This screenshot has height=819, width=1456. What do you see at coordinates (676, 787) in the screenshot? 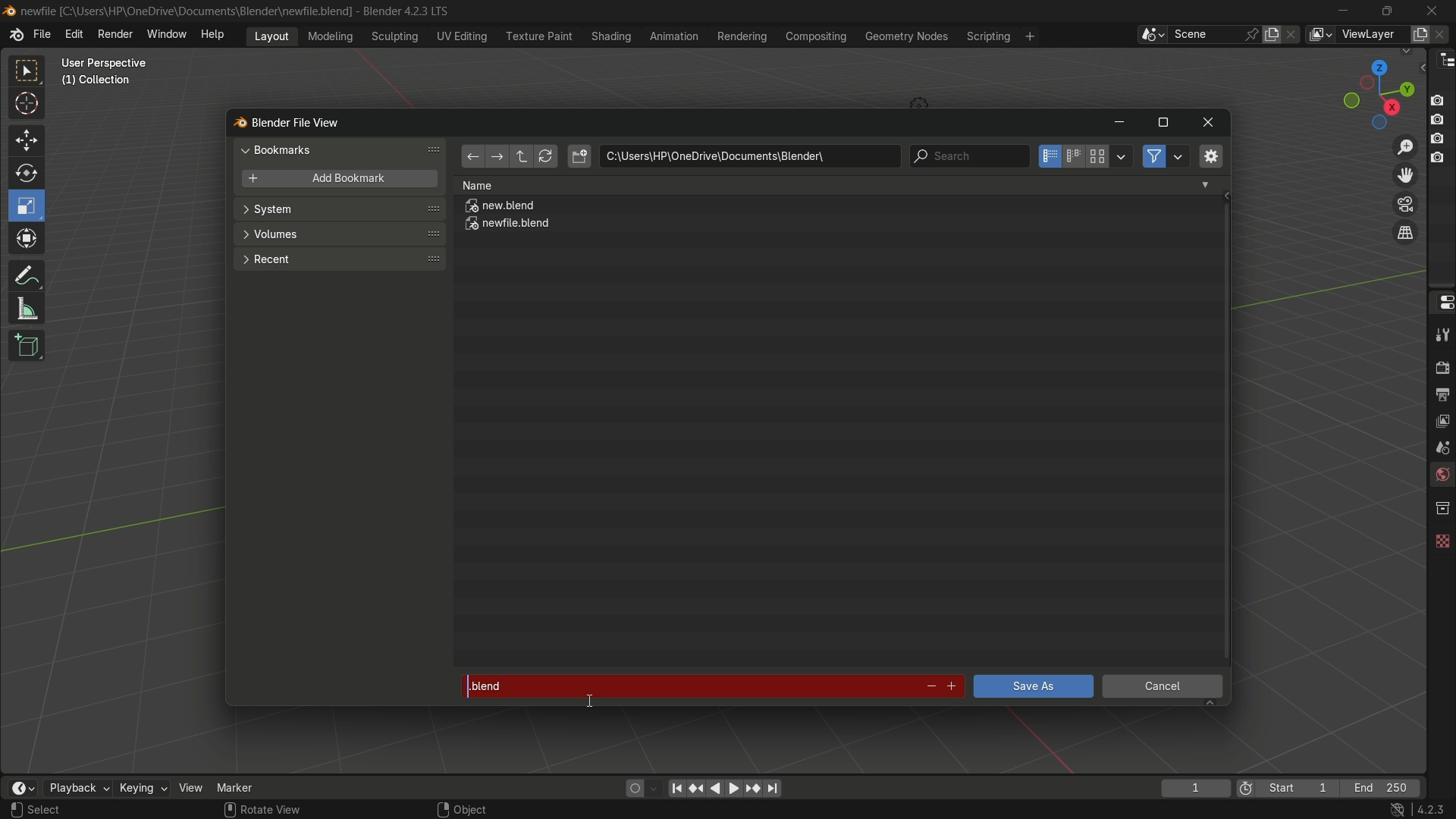
I see `jump to endpoint` at bounding box center [676, 787].